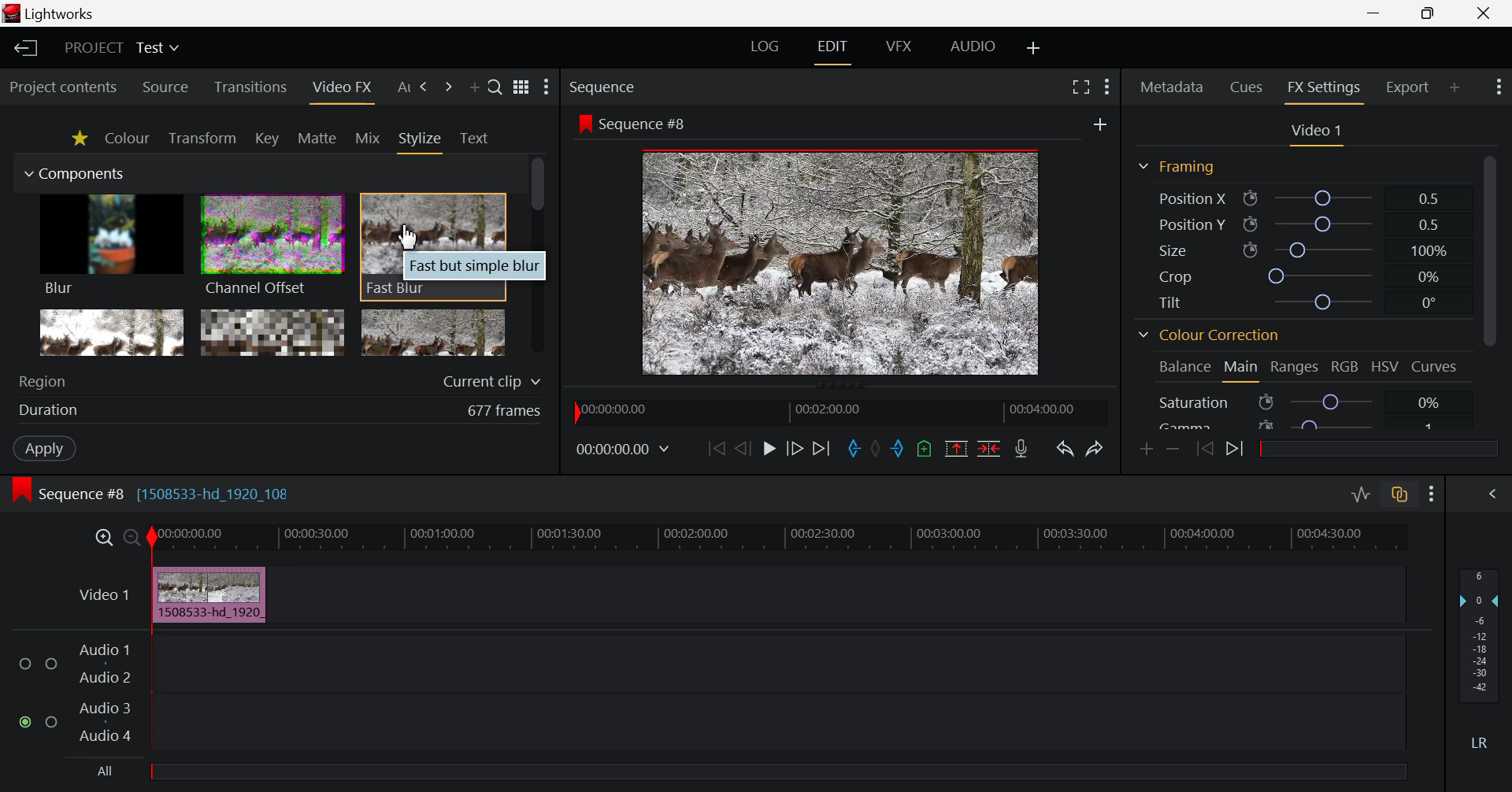 The image size is (1512, 792). Describe the element at coordinates (128, 139) in the screenshot. I see `Colour` at that location.